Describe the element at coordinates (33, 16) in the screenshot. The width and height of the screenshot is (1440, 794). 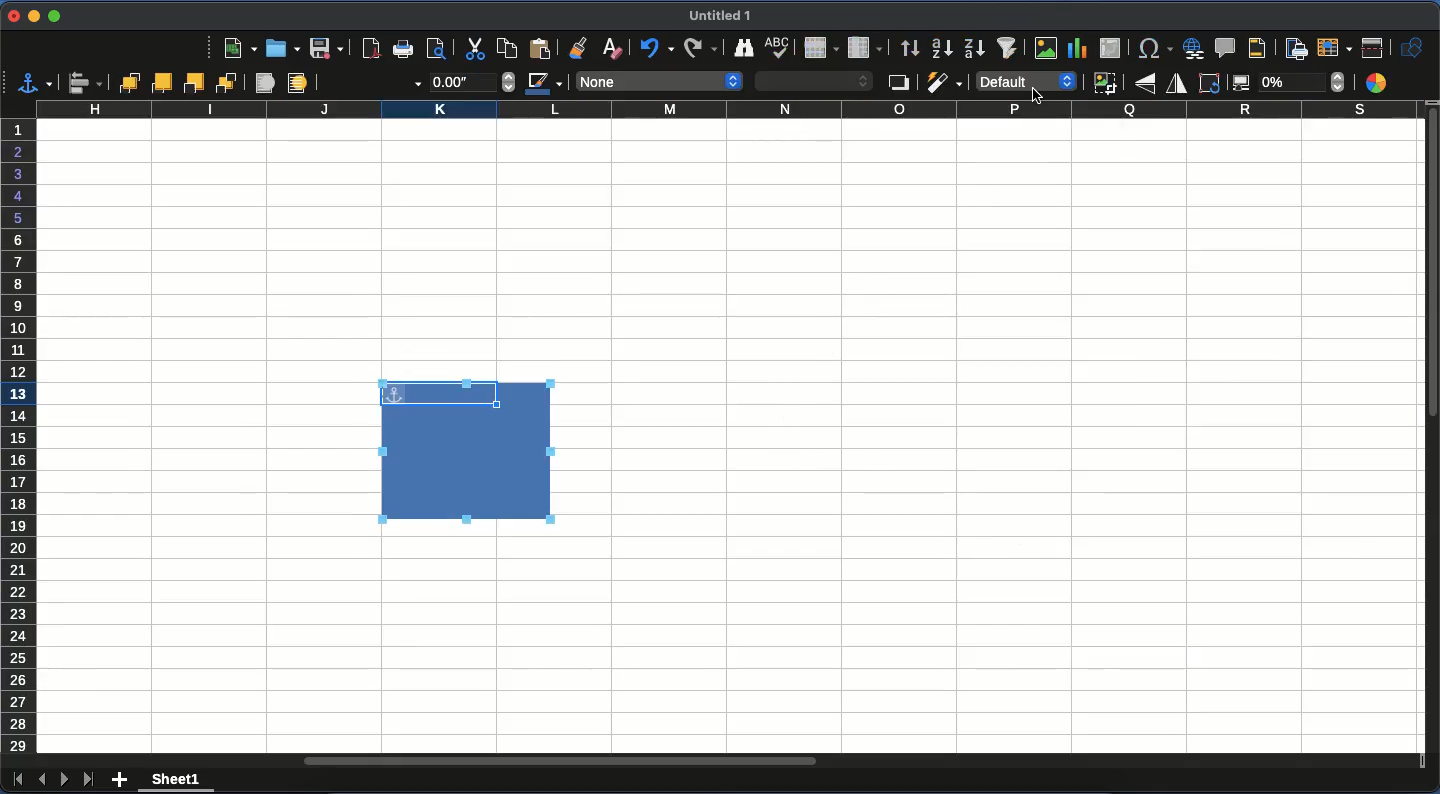
I see `minimize` at that location.